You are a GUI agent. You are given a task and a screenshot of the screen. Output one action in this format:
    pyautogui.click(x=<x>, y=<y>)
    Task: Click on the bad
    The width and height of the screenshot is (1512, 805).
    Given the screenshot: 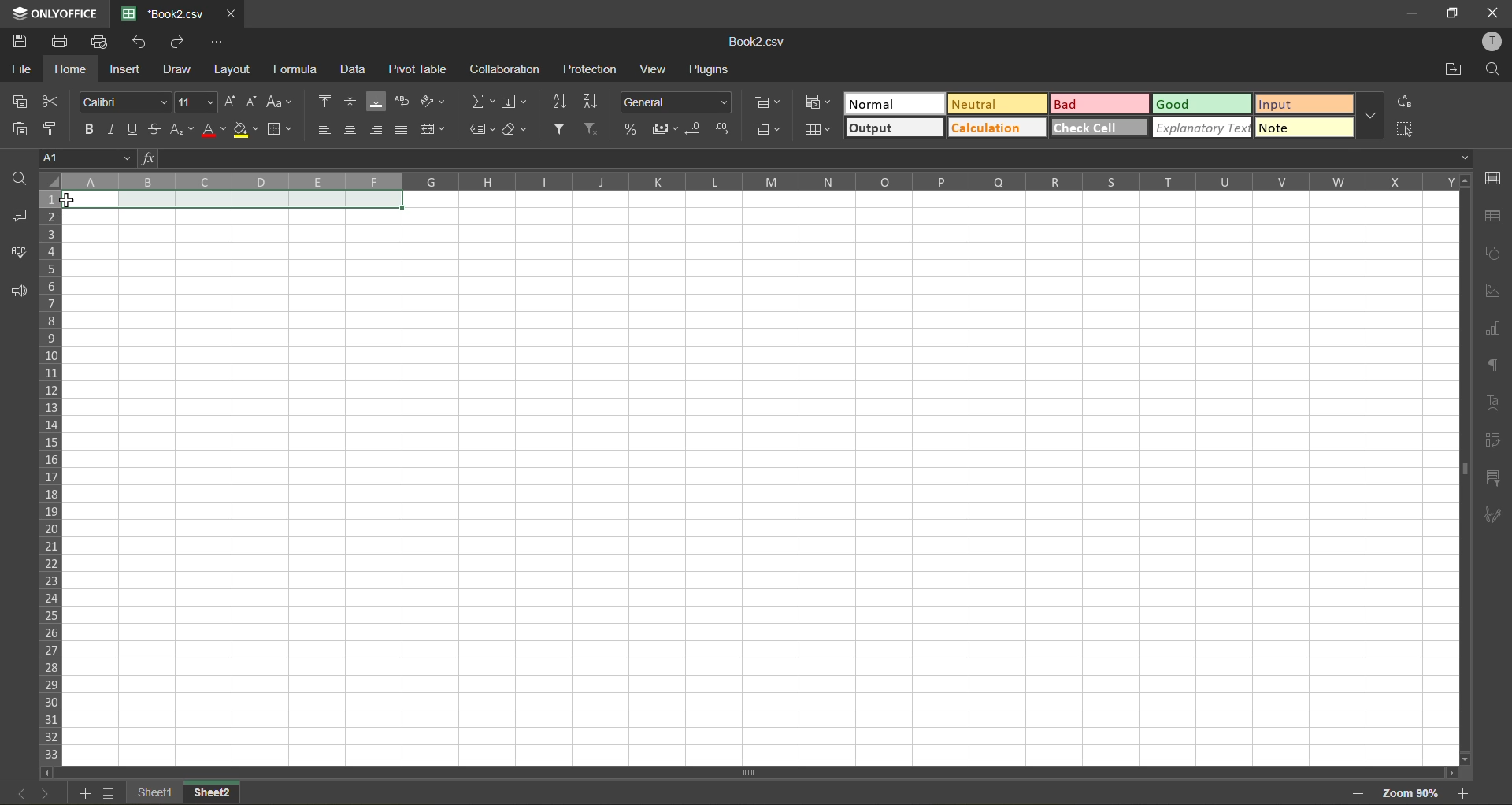 What is the action you would take?
    pyautogui.click(x=1102, y=103)
    